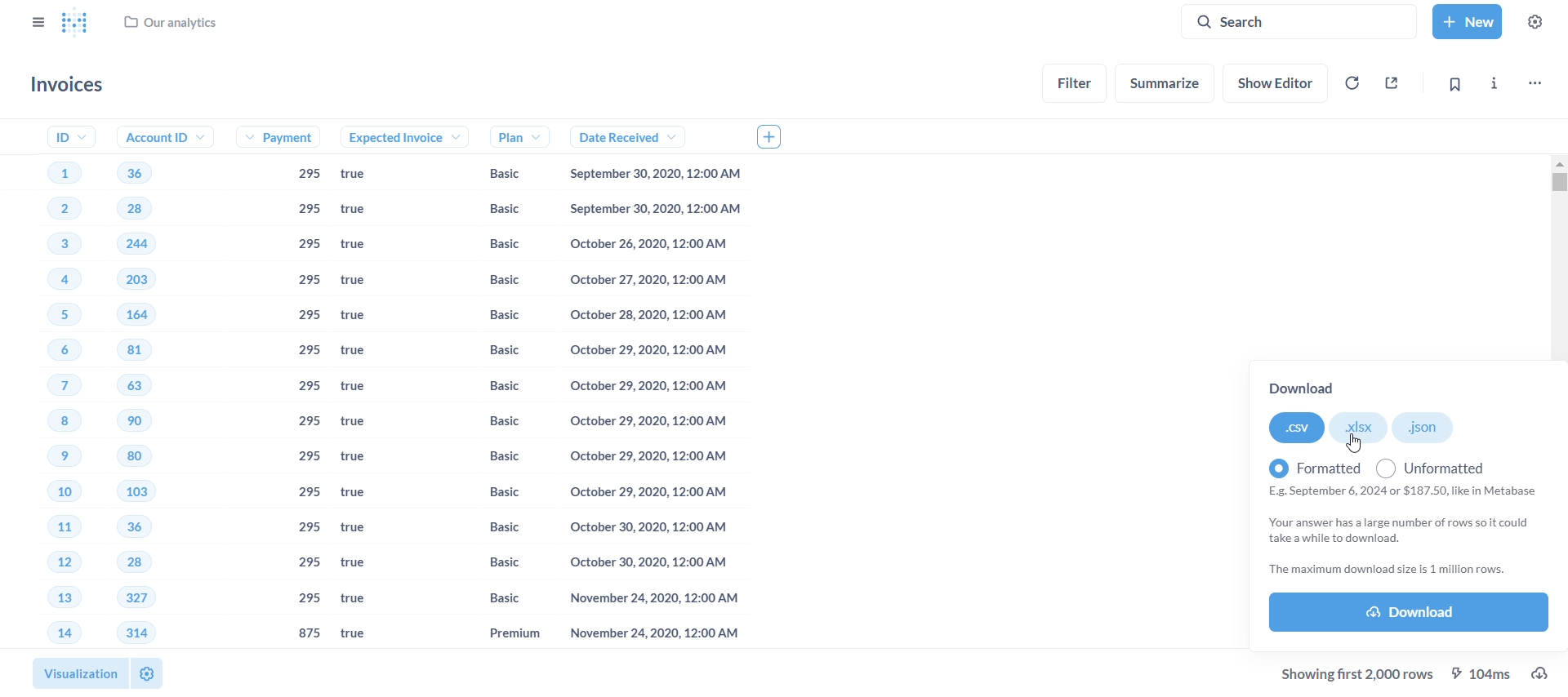  I want to click on true, so click(363, 388).